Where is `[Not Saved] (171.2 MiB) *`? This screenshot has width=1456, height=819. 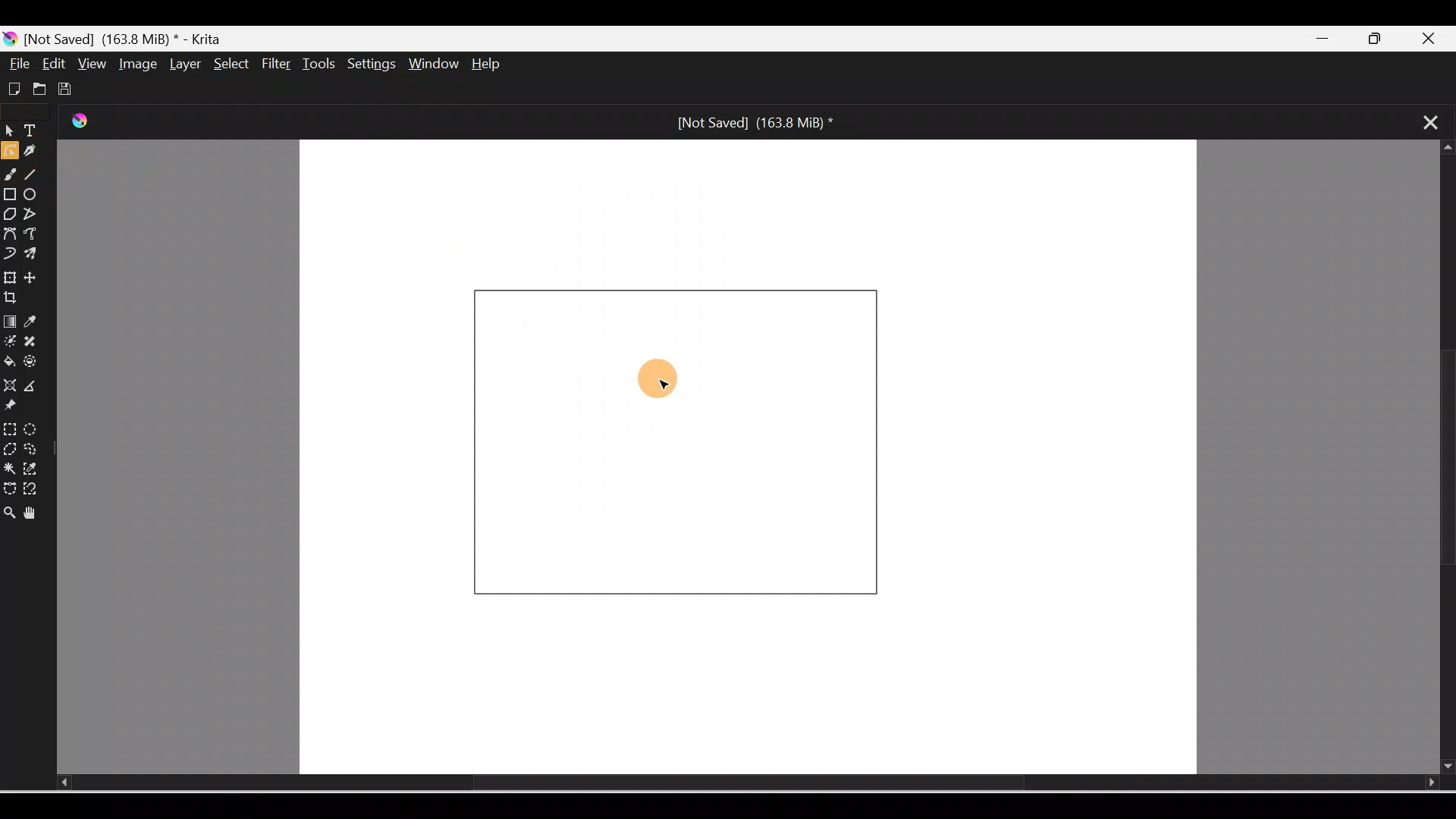
[Not Saved] (171.2 MiB) * is located at coordinates (751, 121).